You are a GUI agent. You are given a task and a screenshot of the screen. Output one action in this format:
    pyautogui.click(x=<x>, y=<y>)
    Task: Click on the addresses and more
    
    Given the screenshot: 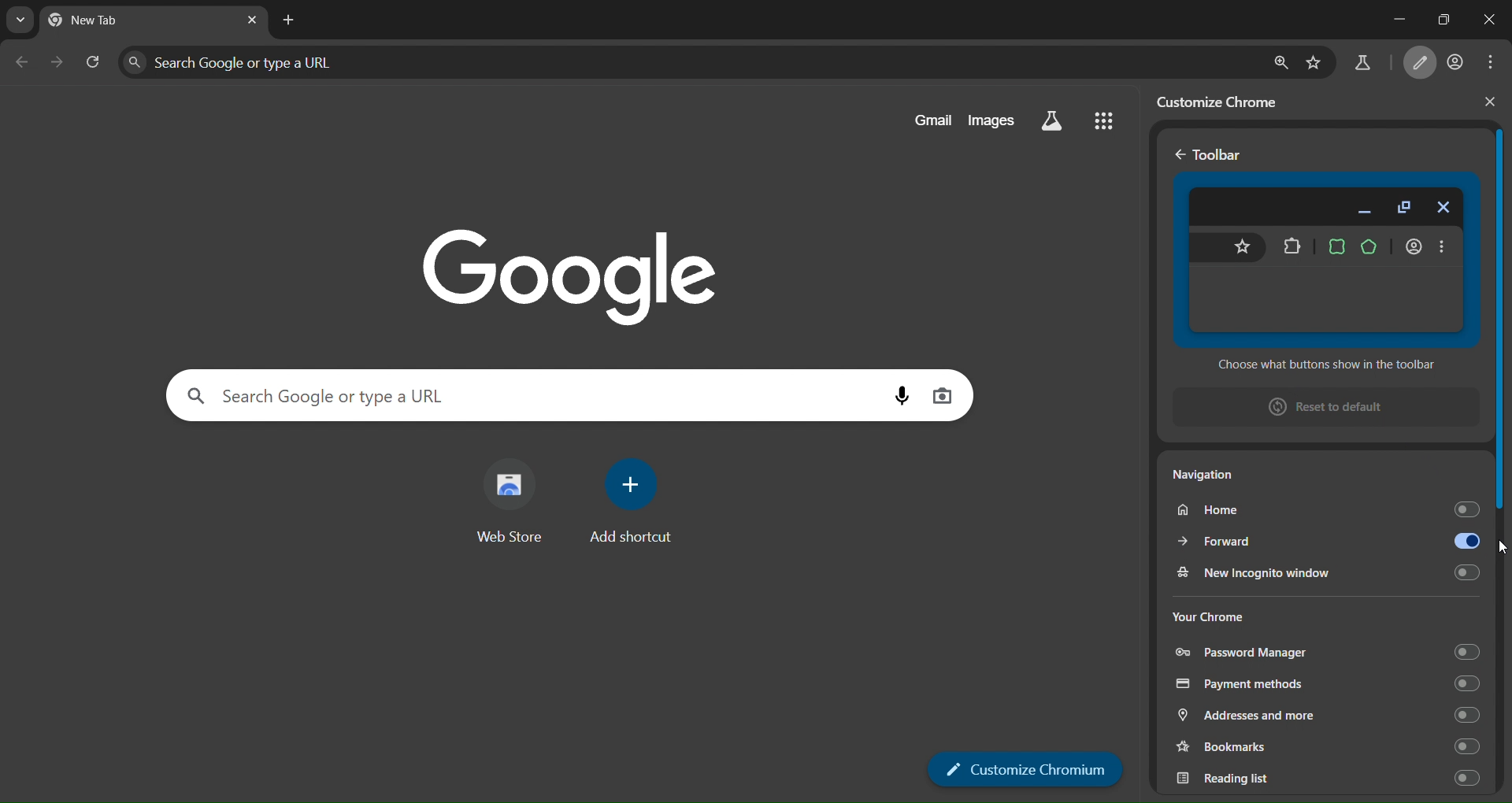 What is the action you would take?
    pyautogui.click(x=1322, y=716)
    